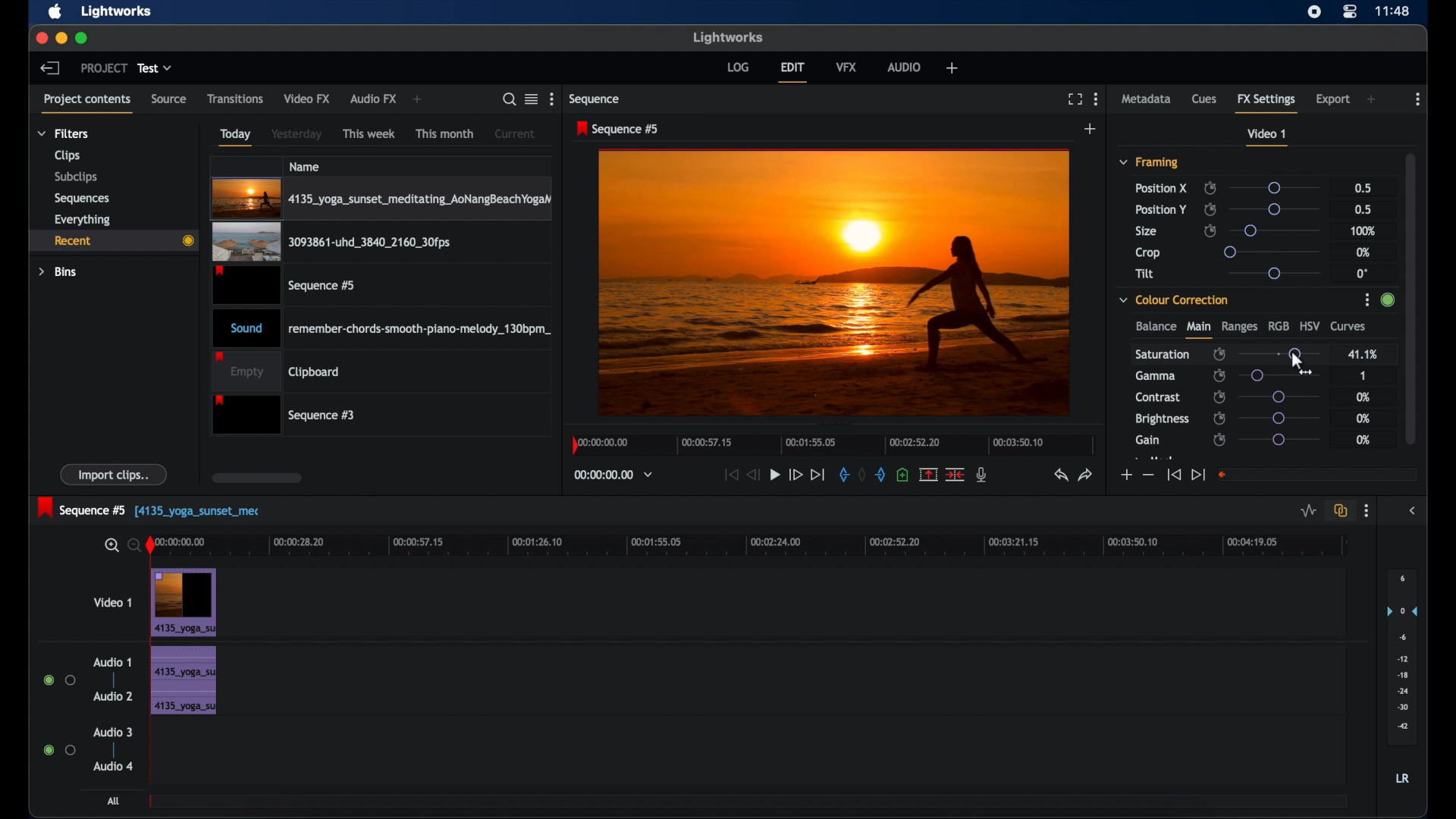  Describe the element at coordinates (759, 547) in the screenshot. I see `timeline scale` at that location.